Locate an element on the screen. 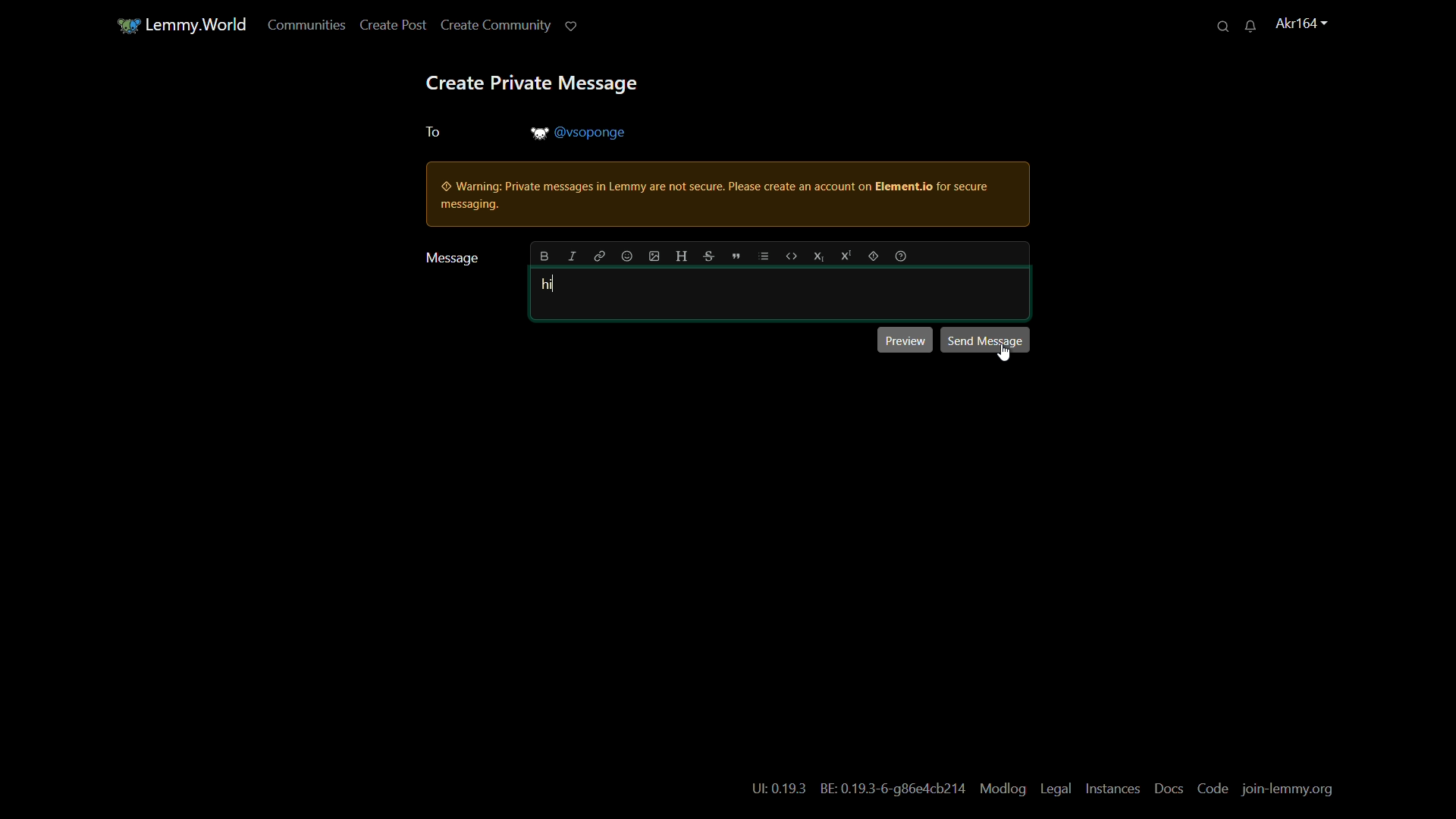 The height and width of the screenshot is (819, 1456). add image is located at coordinates (654, 256).